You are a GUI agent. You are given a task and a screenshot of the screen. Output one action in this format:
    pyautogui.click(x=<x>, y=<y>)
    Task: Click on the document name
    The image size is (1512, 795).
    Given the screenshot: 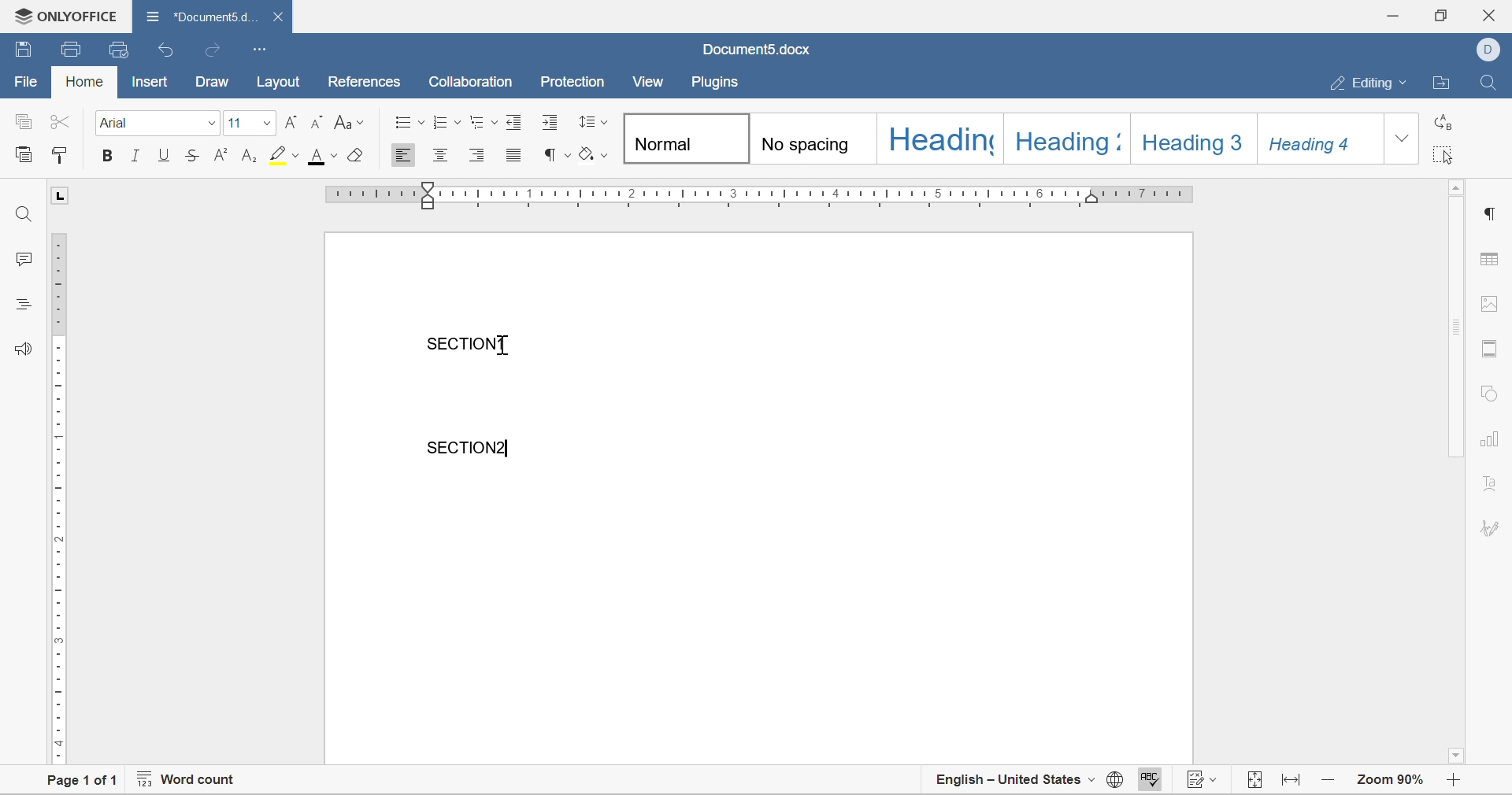 What is the action you would take?
    pyautogui.click(x=200, y=15)
    